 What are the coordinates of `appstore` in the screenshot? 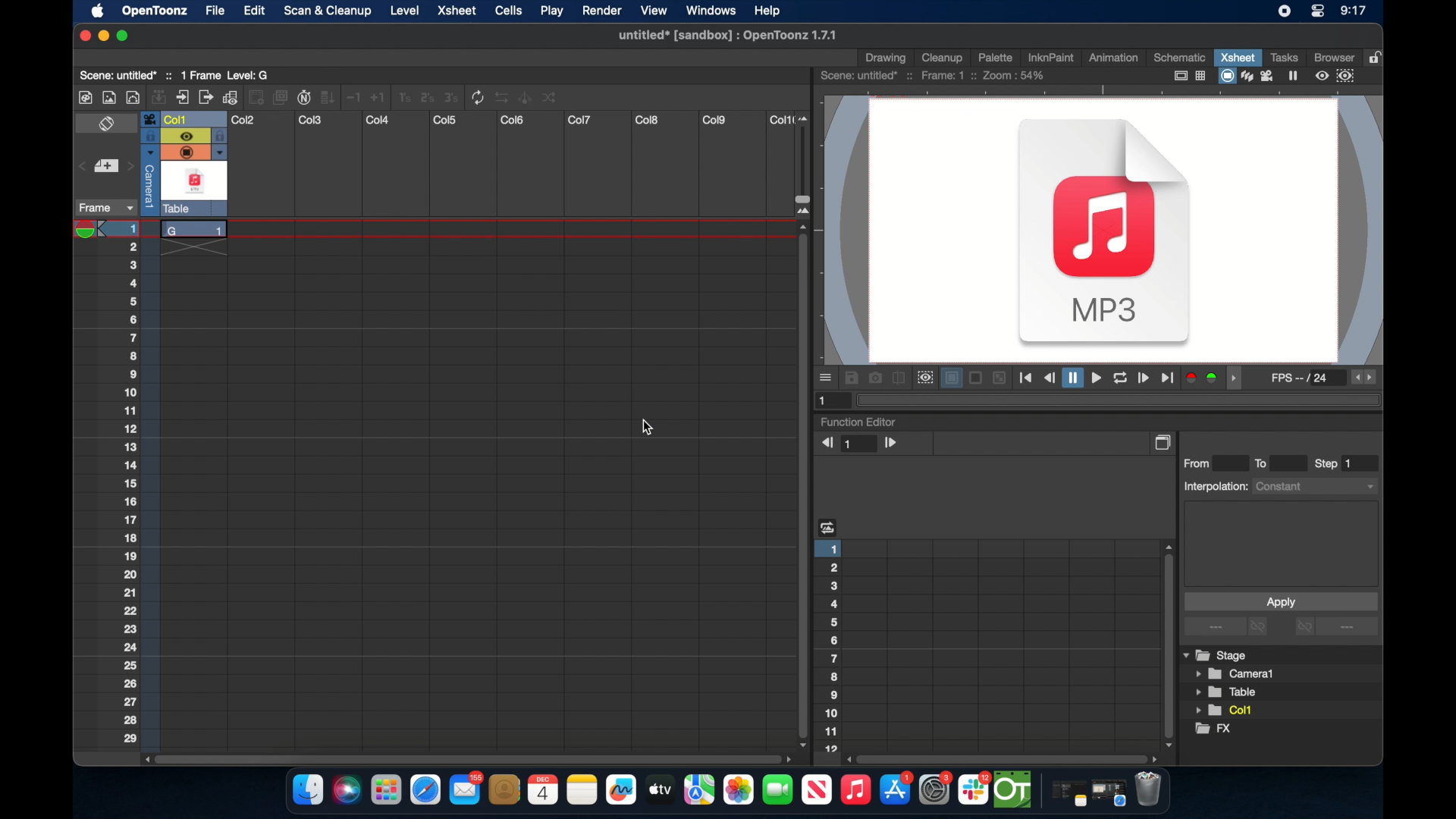 It's located at (896, 790).